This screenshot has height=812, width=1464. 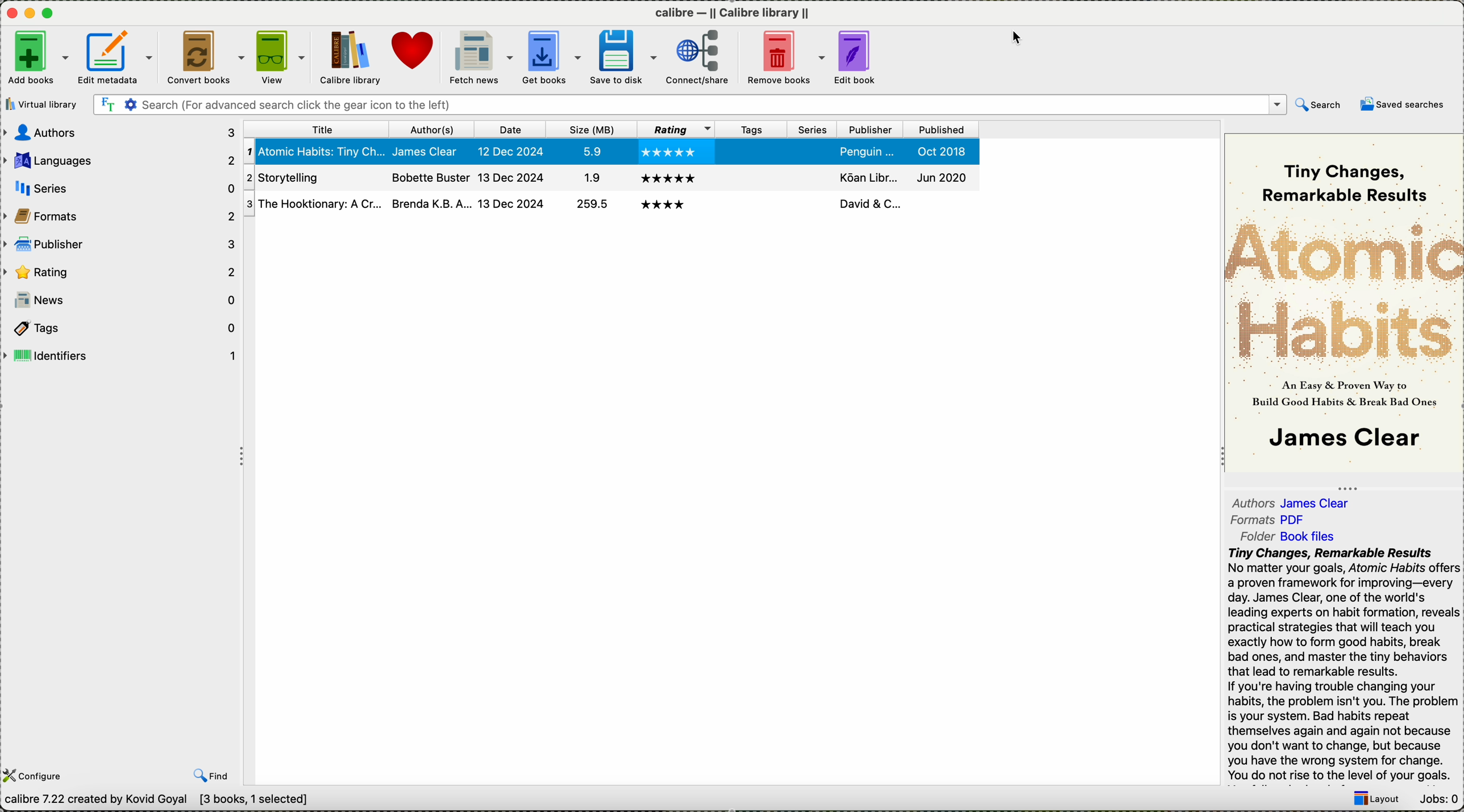 I want to click on published, so click(x=938, y=177).